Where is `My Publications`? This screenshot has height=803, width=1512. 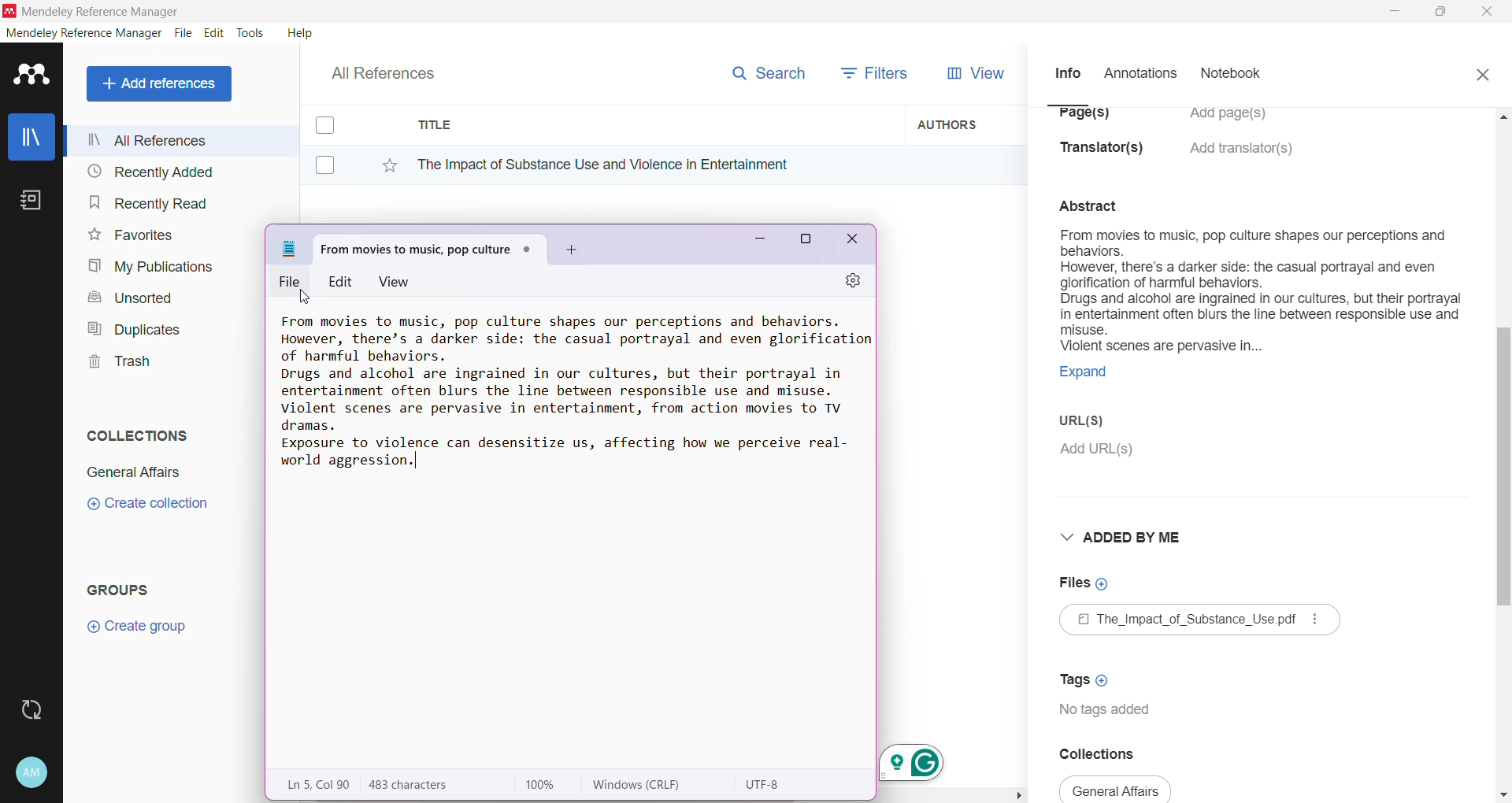 My Publications is located at coordinates (149, 267).